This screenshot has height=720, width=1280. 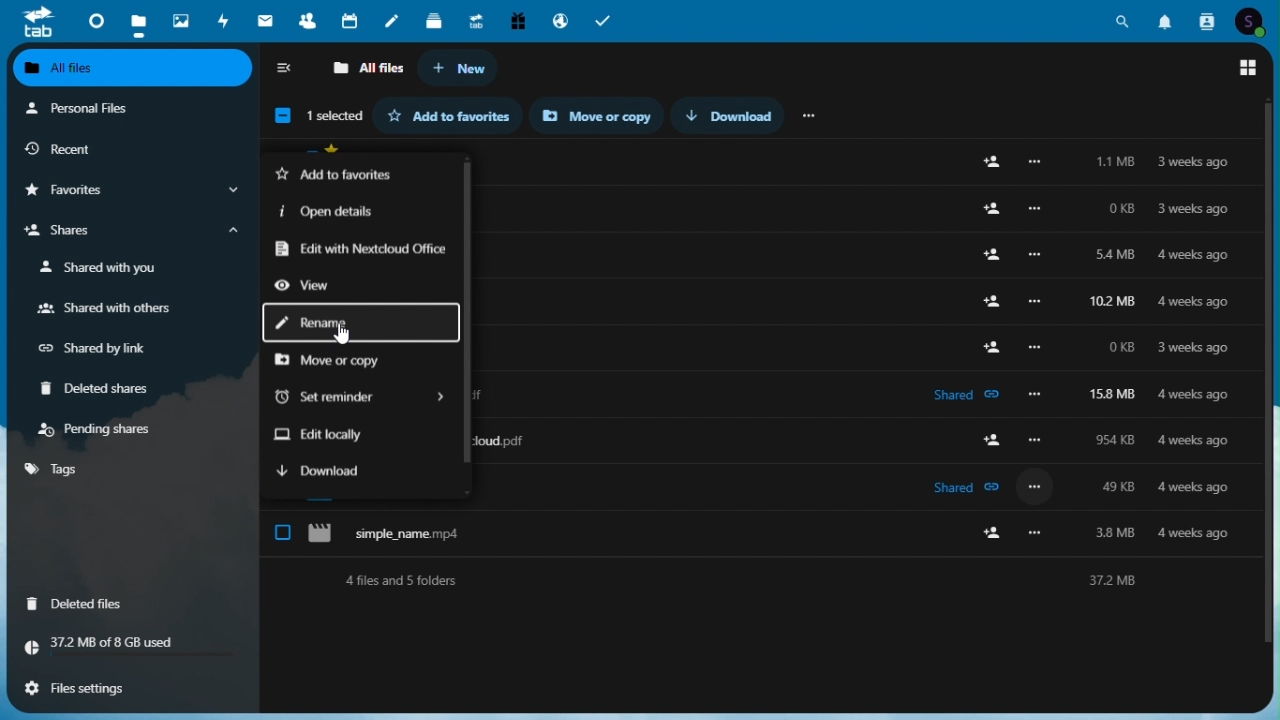 What do you see at coordinates (268, 20) in the screenshot?
I see `mail` at bounding box center [268, 20].